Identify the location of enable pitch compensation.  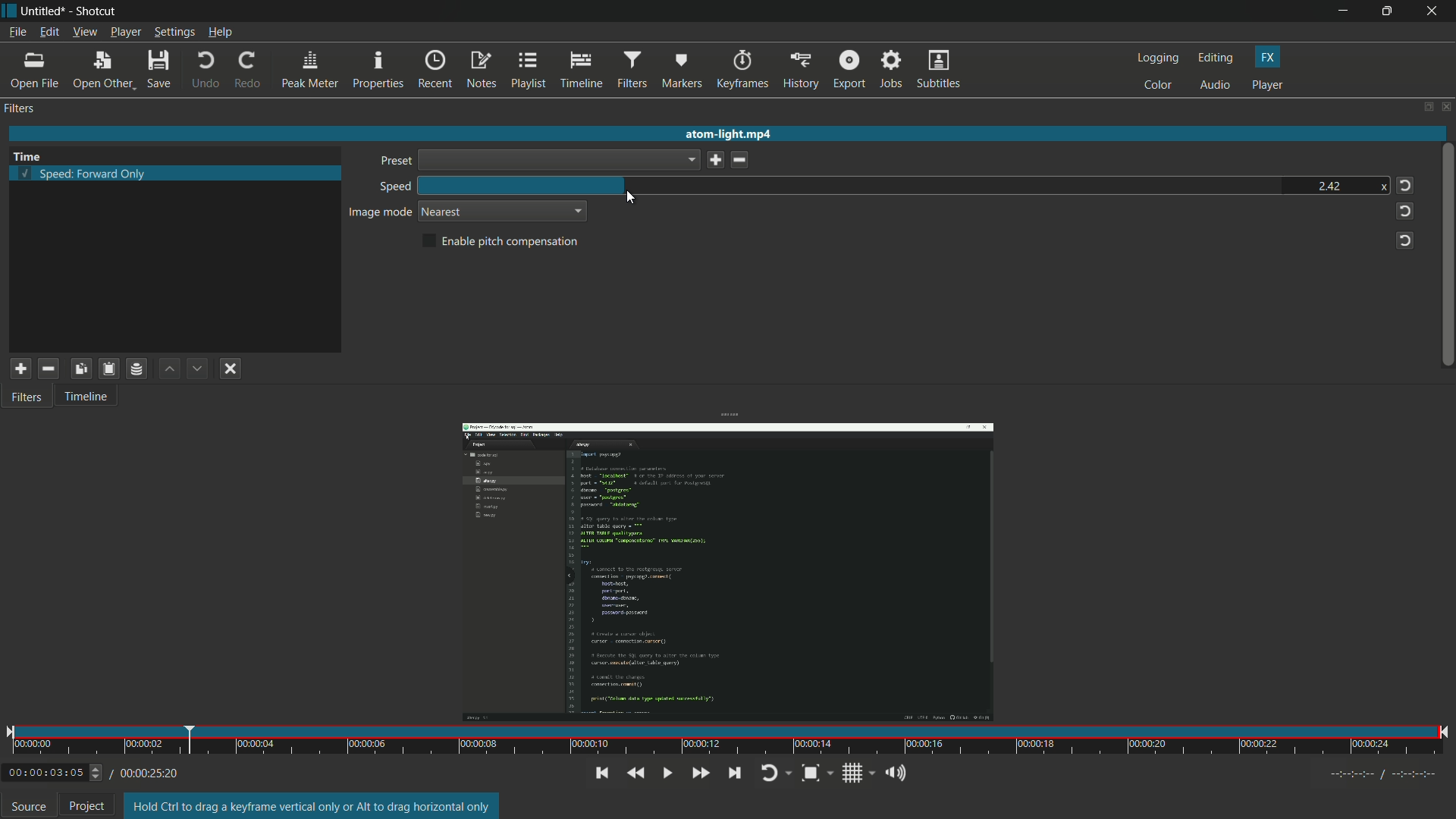
(502, 242).